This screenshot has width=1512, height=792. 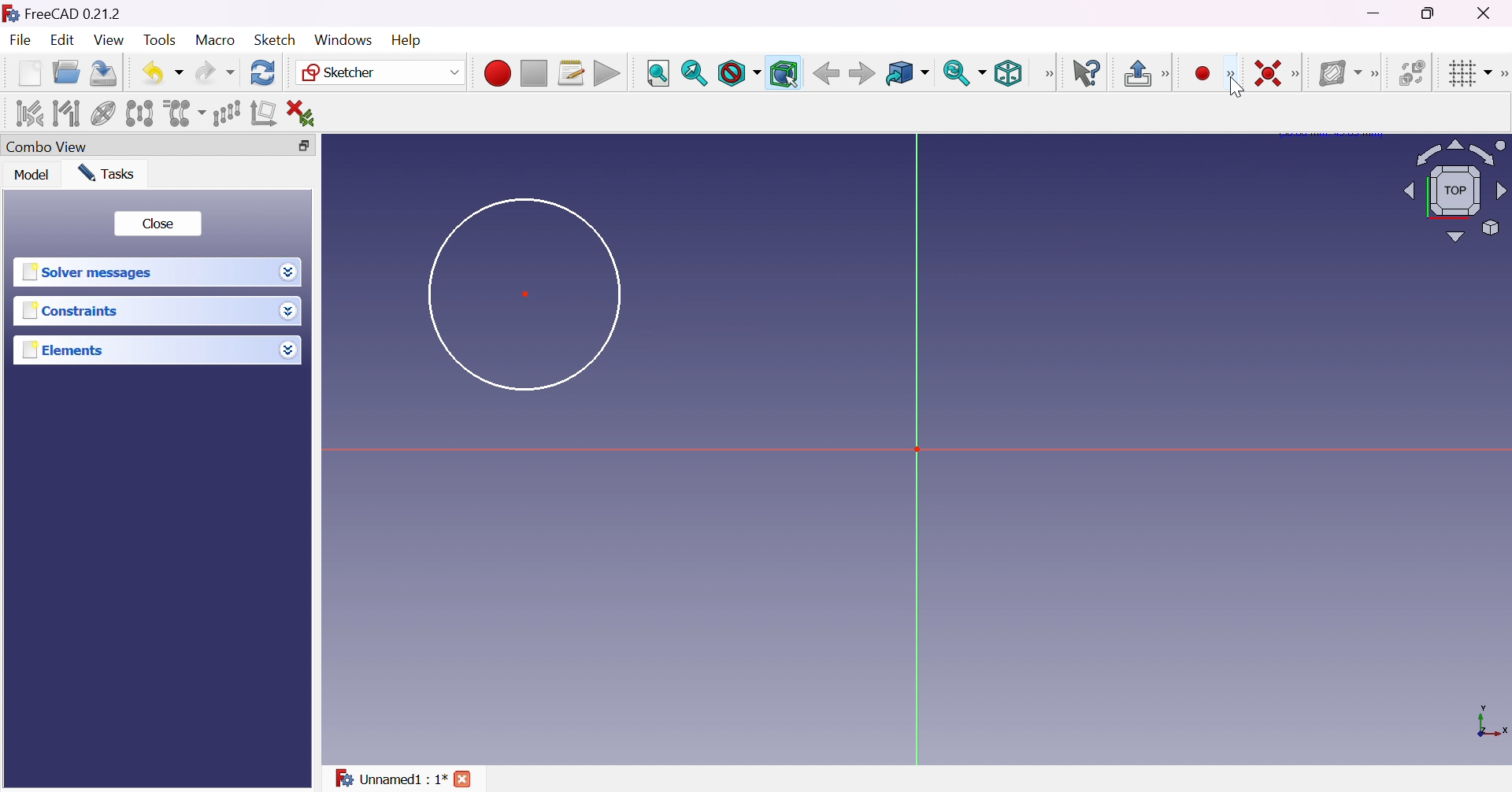 What do you see at coordinates (140, 113) in the screenshot?
I see `Symmetry` at bounding box center [140, 113].